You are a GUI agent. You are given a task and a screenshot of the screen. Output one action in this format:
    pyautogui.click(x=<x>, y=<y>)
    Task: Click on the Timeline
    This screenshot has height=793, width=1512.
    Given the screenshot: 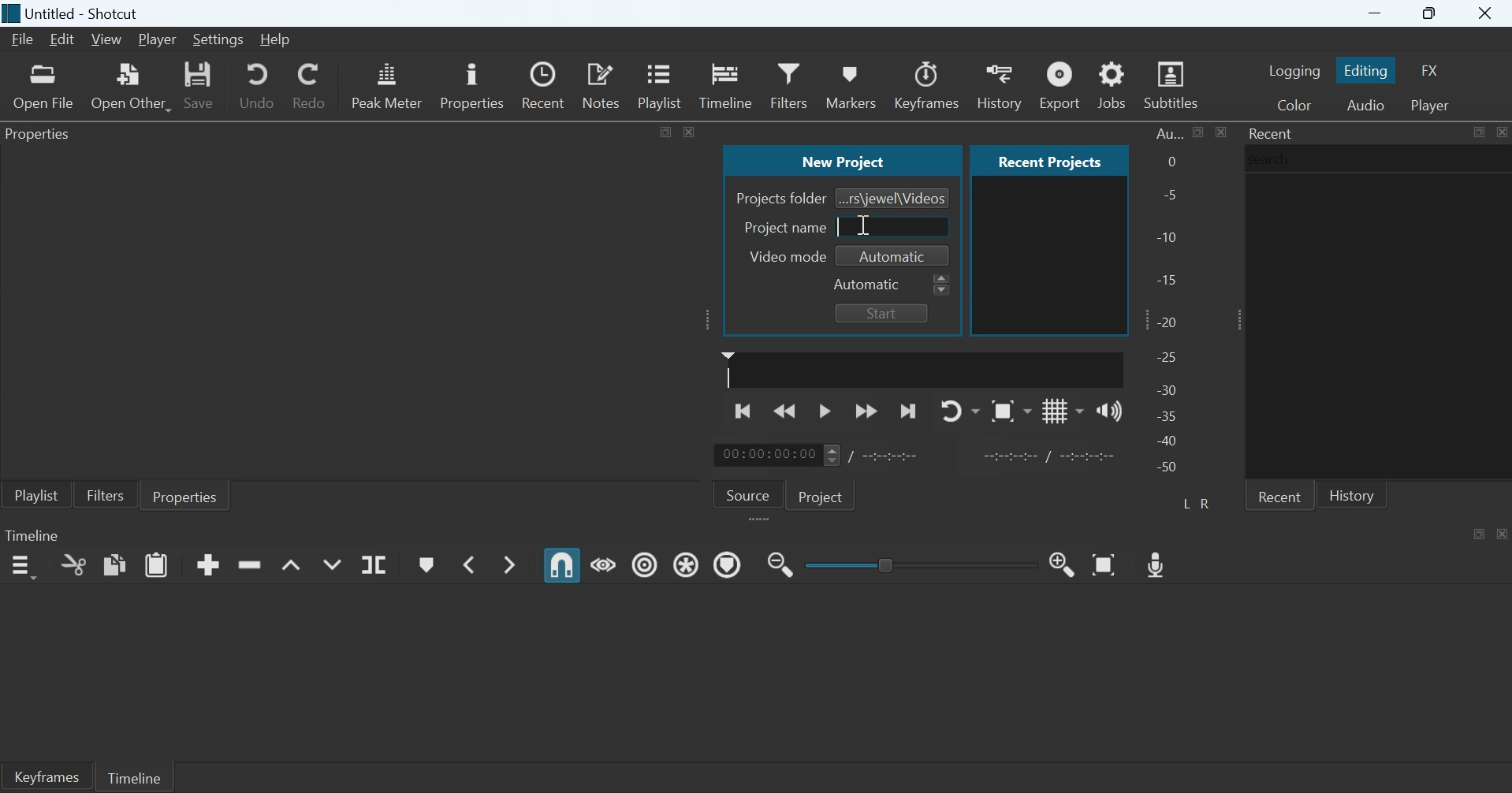 What is the action you would take?
    pyautogui.click(x=32, y=534)
    